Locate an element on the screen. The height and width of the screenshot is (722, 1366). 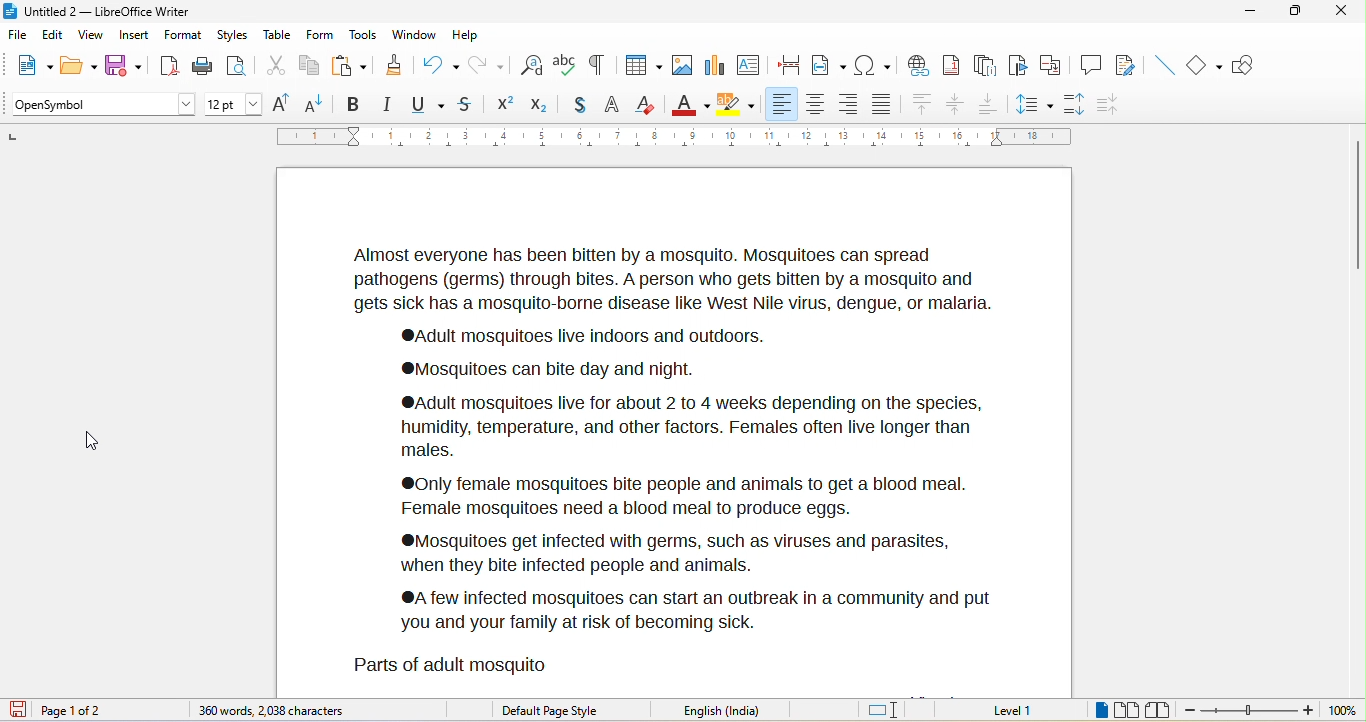
page break is located at coordinates (787, 63).